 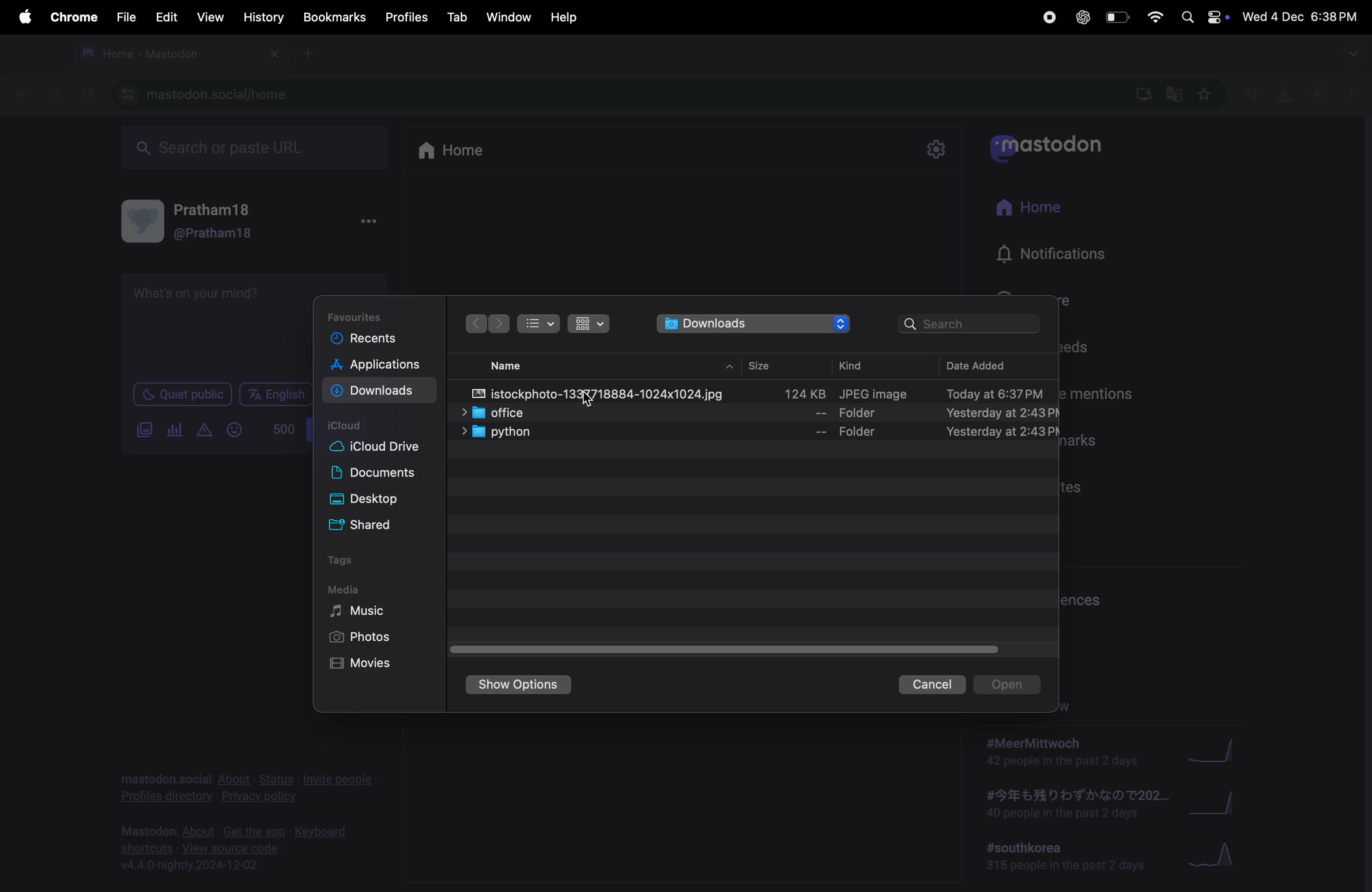 I want to click on office file, so click(x=764, y=412).